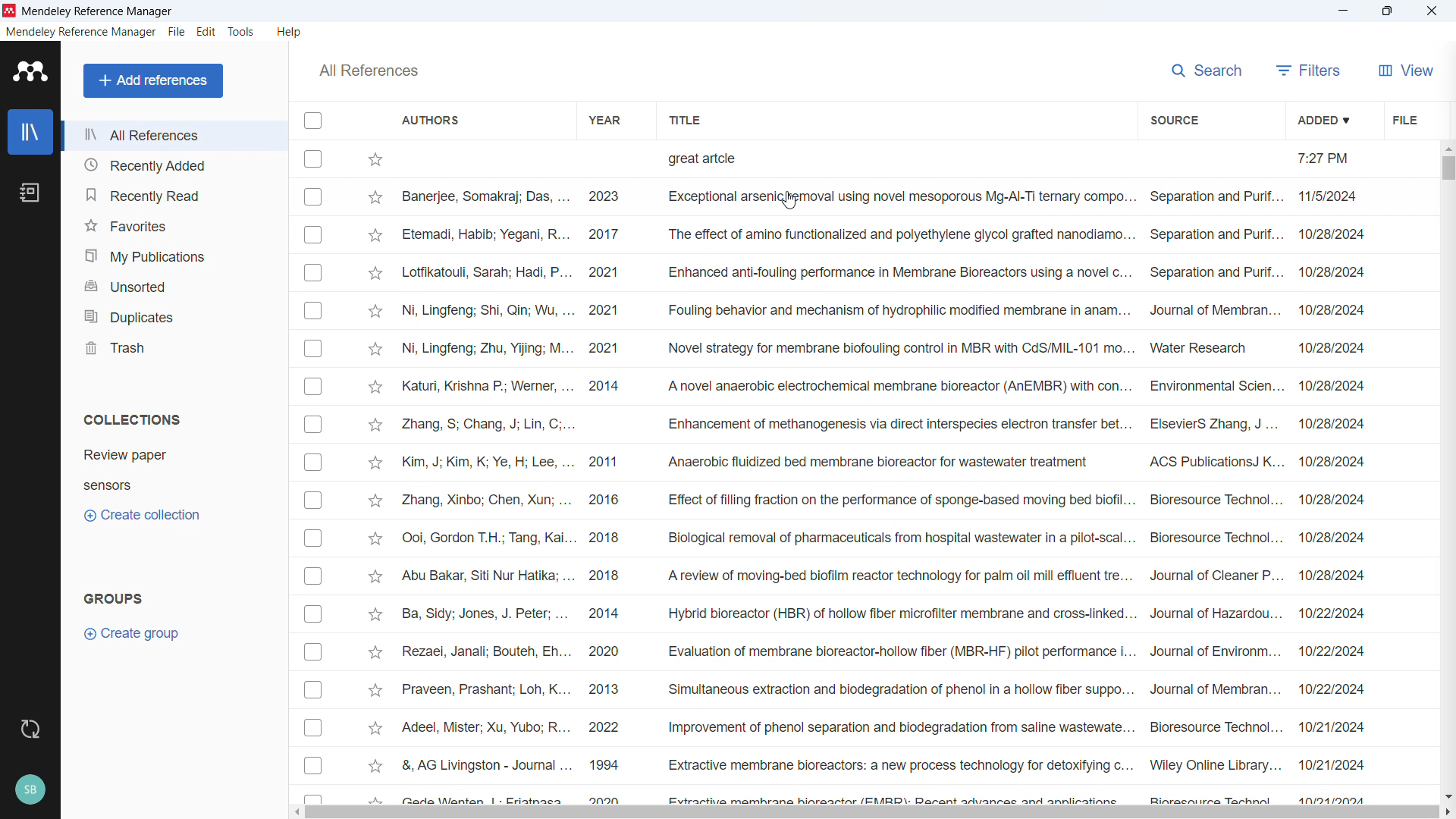 This screenshot has height=819, width=1456. Describe the element at coordinates (1324, 119) in the screenshot. I see `Sort by date added ` at that location.